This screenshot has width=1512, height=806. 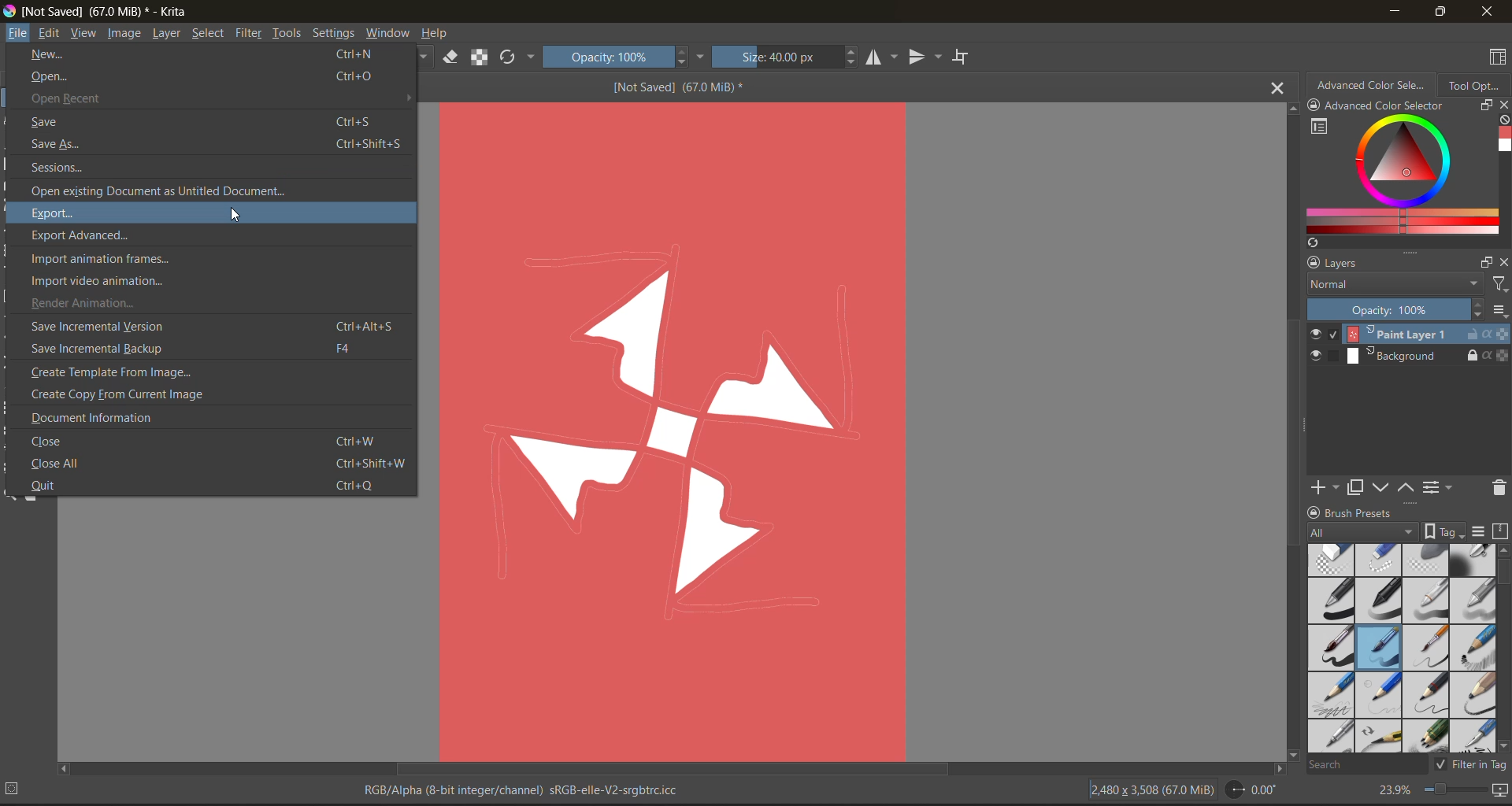 What do you see at coordinates (1407, 355) in the screenshot?
I see `layer` at bounding box center [1407, 355].